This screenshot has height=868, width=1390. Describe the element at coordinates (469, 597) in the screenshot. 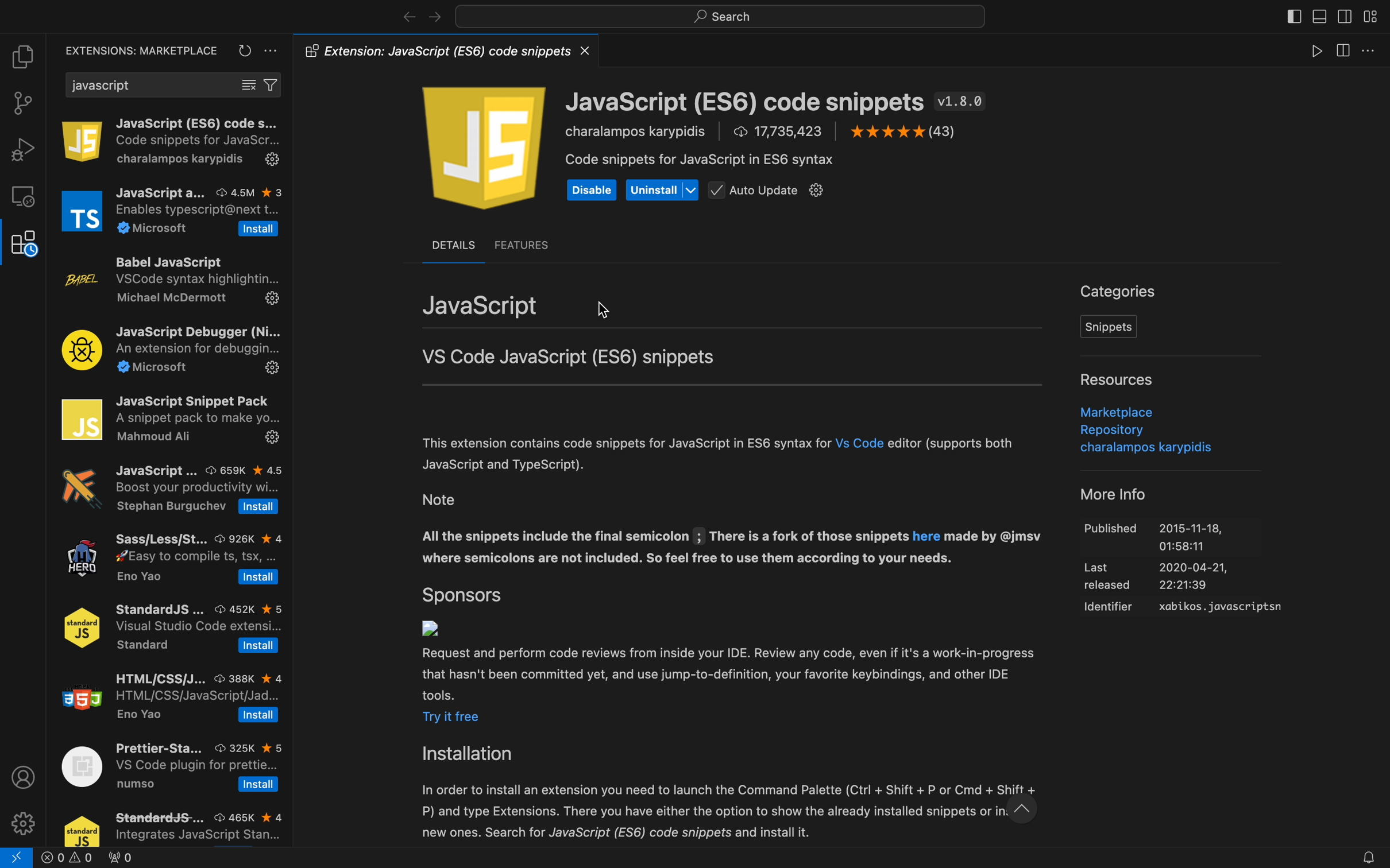

I see `sponsors` at that location.